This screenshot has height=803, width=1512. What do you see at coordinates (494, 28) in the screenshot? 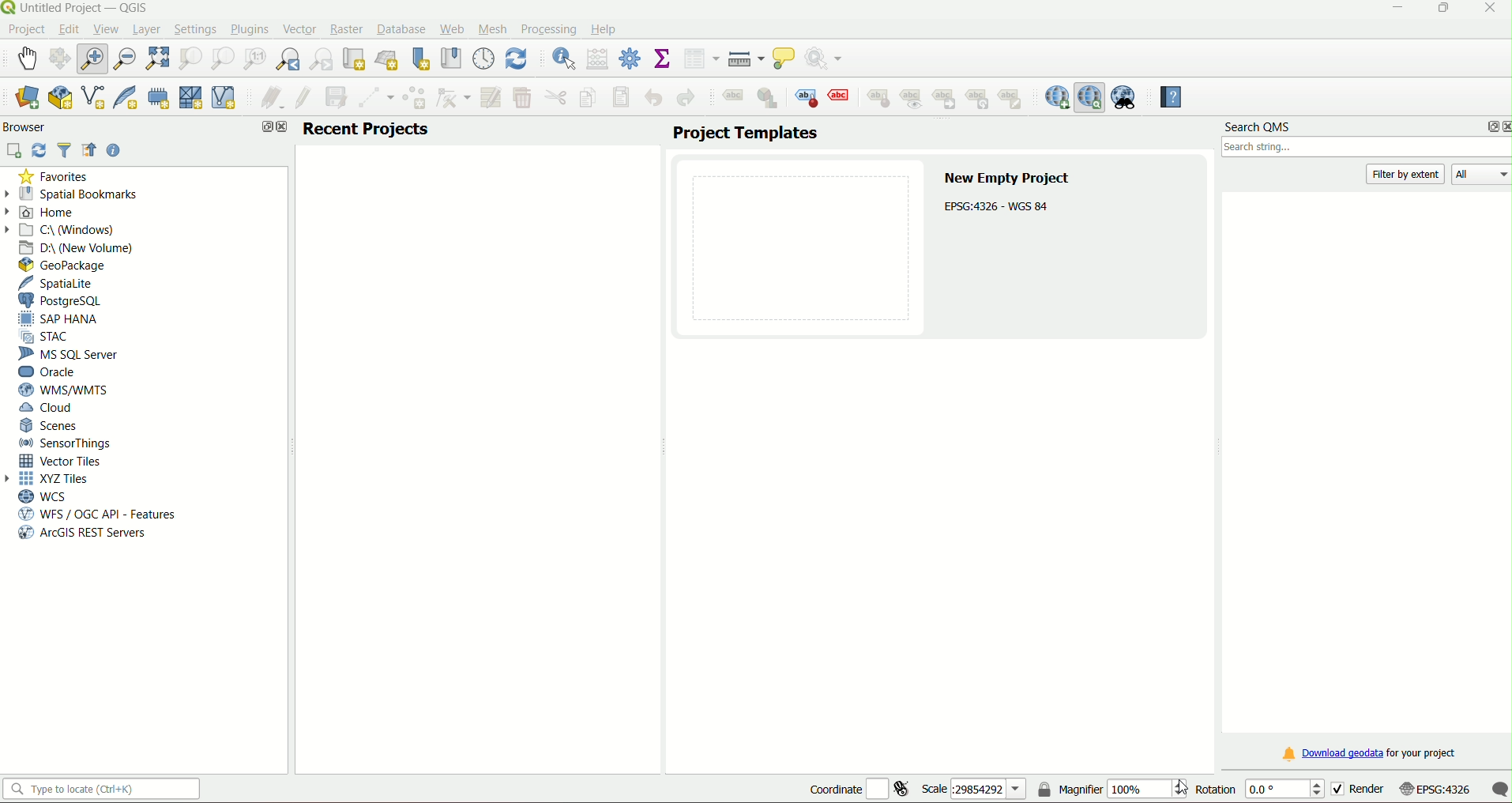
I see `mesh` at bounding box center [494, 28].